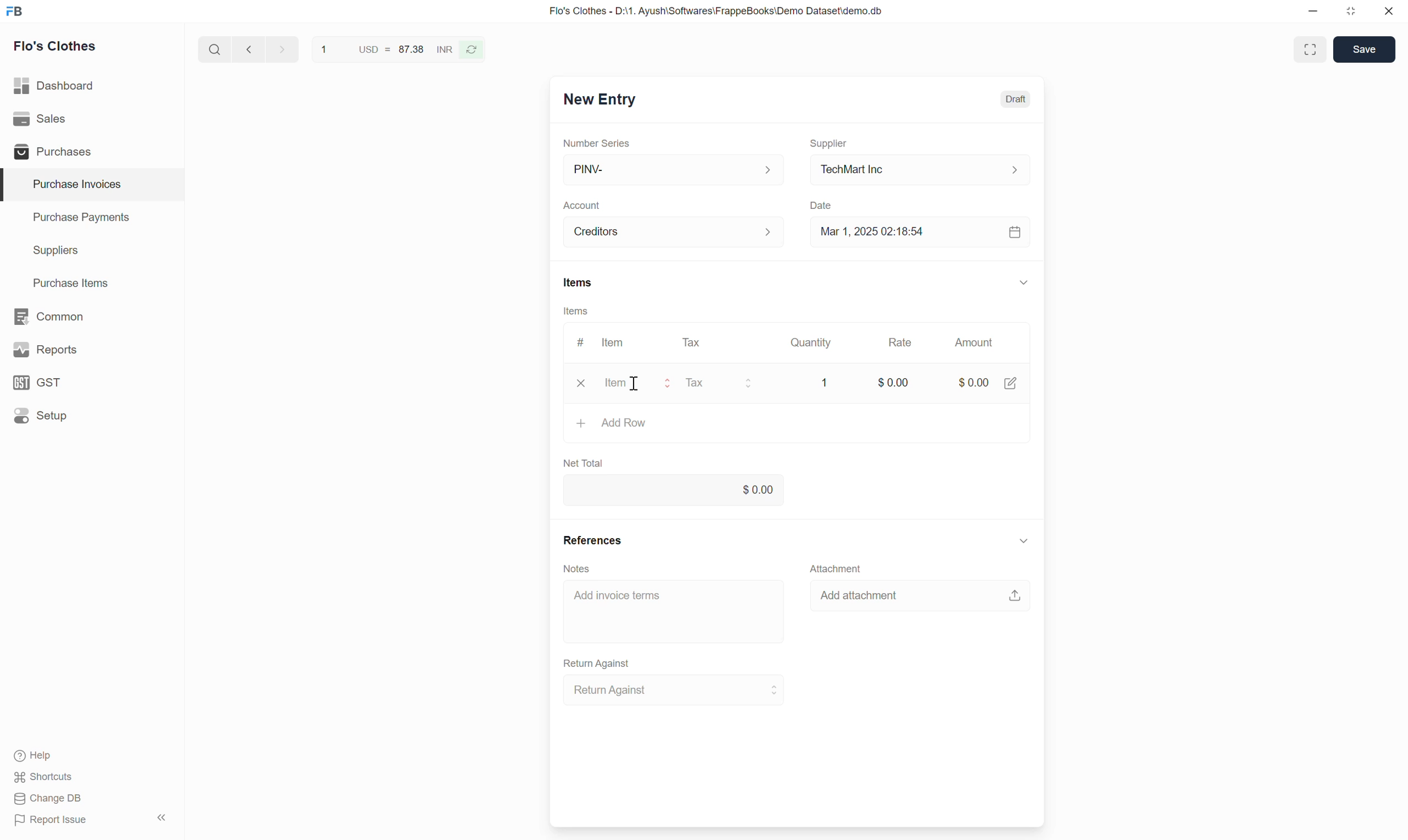  What do you see at coordinates (577, 569) in the screenshot?
I see `Notes` at bounding box center [577, 569].